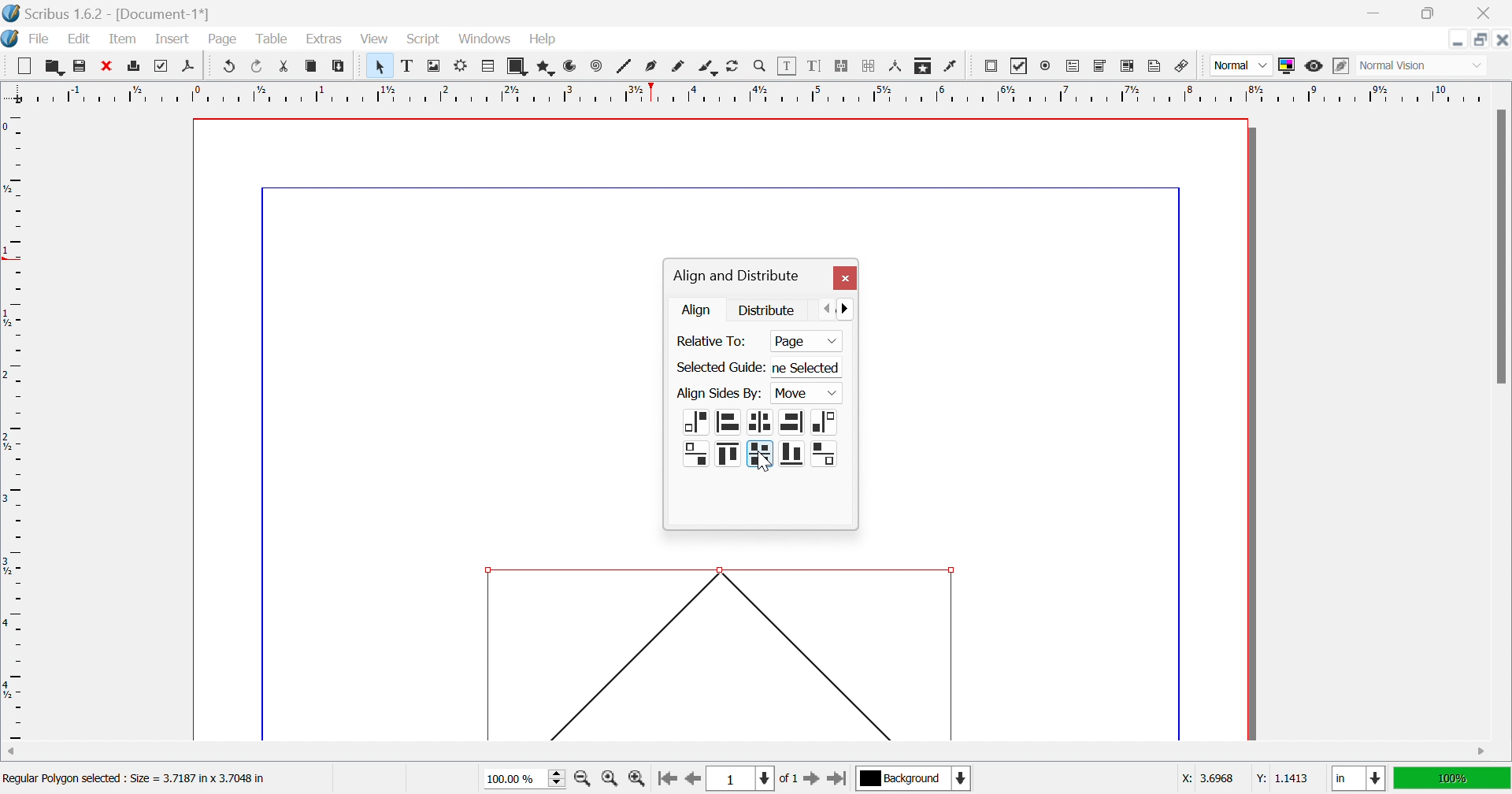 The image size is (1512, 794). Describe the element at coordinates (738, 779) in the screenshot. I see `1` at that location.